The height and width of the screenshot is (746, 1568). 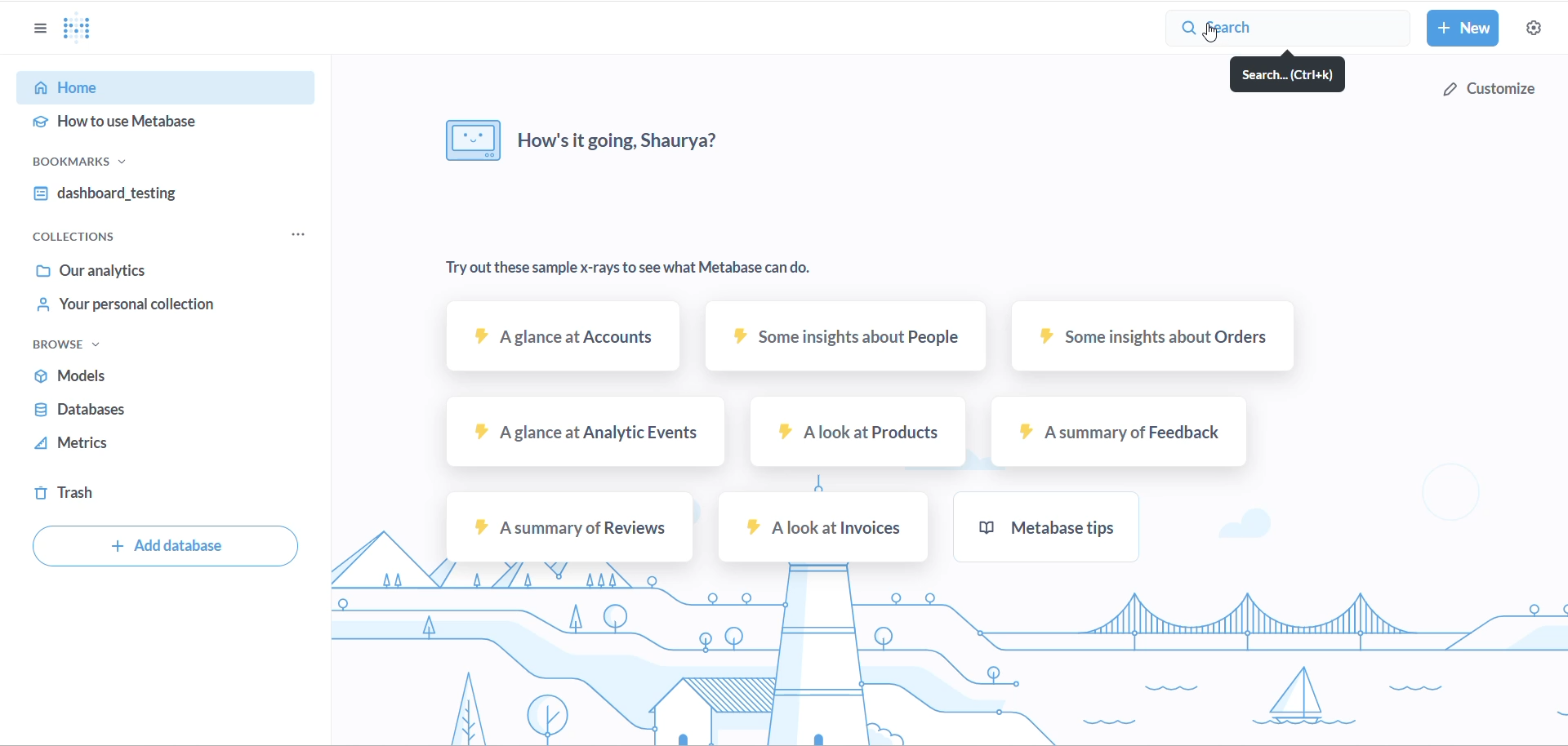 What do you see at coordinates (156, 270) in the screenshot?
I see `our analytics folder` at bounding box center [156, 270].